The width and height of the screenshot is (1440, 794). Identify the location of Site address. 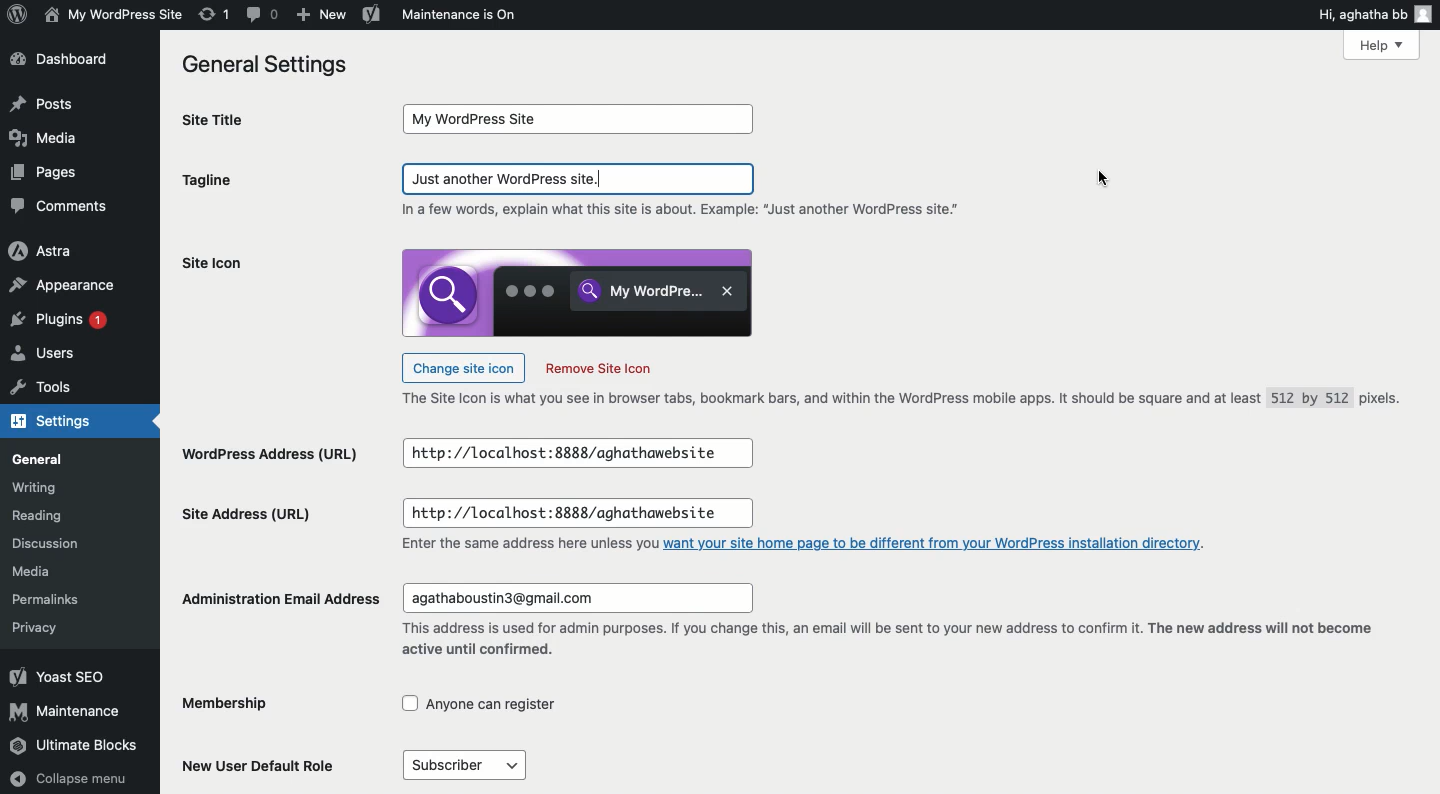
(247, 512).